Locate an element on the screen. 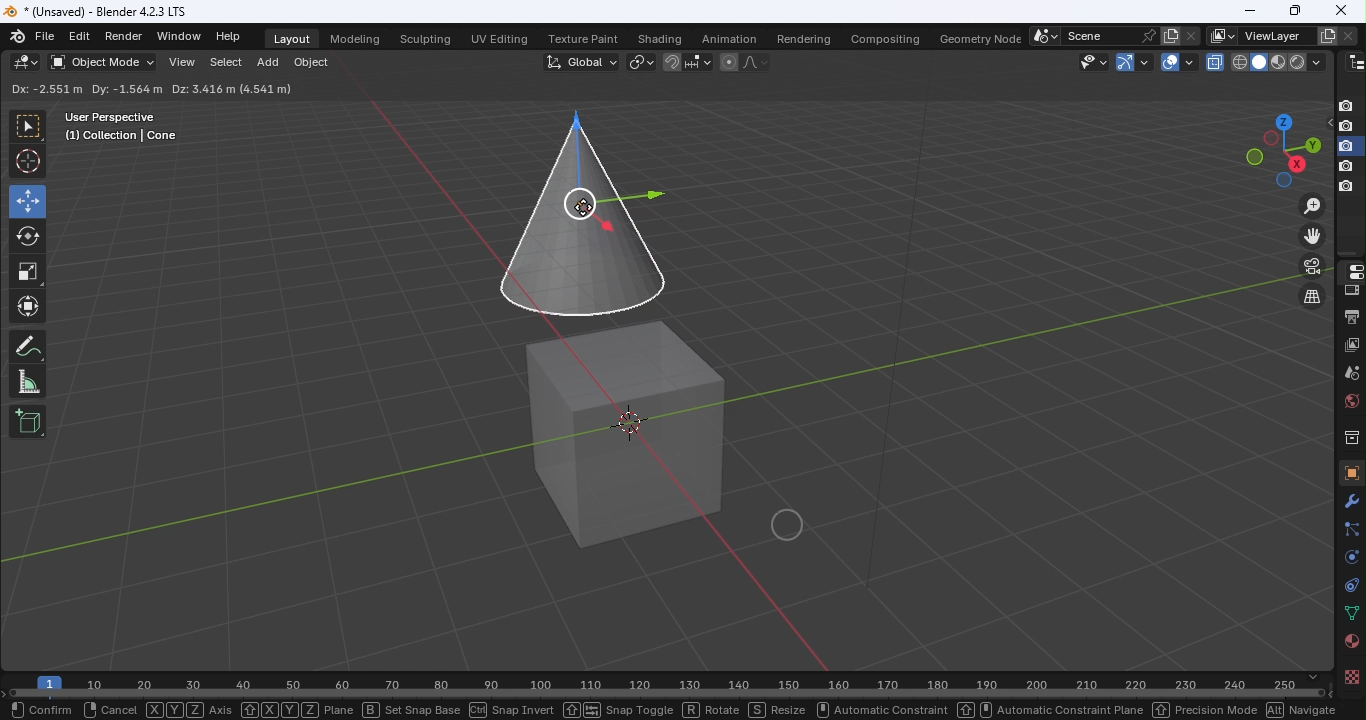  viewpoint shader: wireframe is located at coordinates (1239, 61).